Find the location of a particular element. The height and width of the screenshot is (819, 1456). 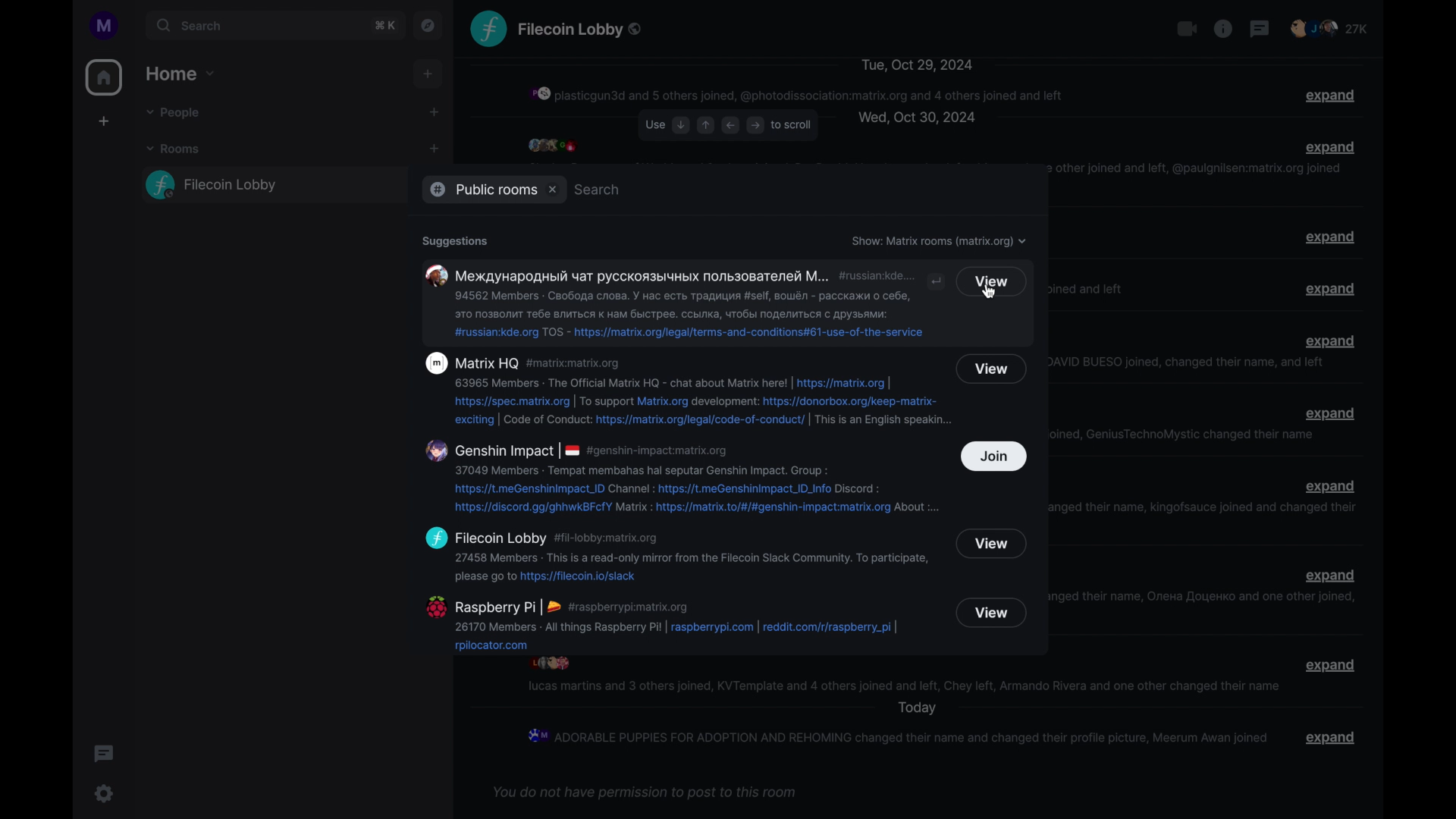

participants is located at coordinates (552, 145).